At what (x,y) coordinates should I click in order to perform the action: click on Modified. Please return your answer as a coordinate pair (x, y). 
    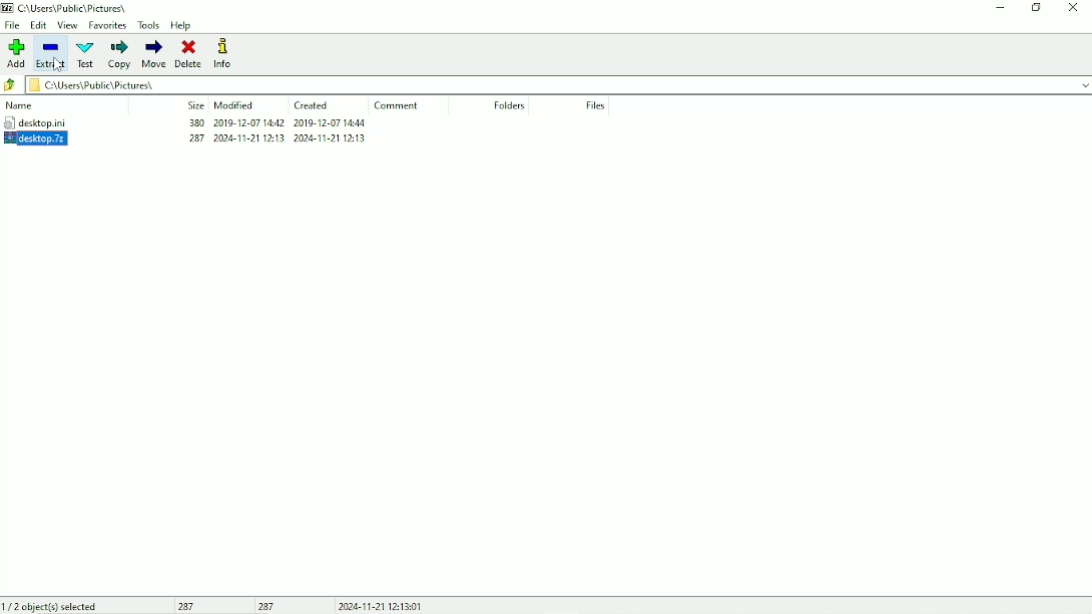
    Looking at the image, I should click on (235, 105).